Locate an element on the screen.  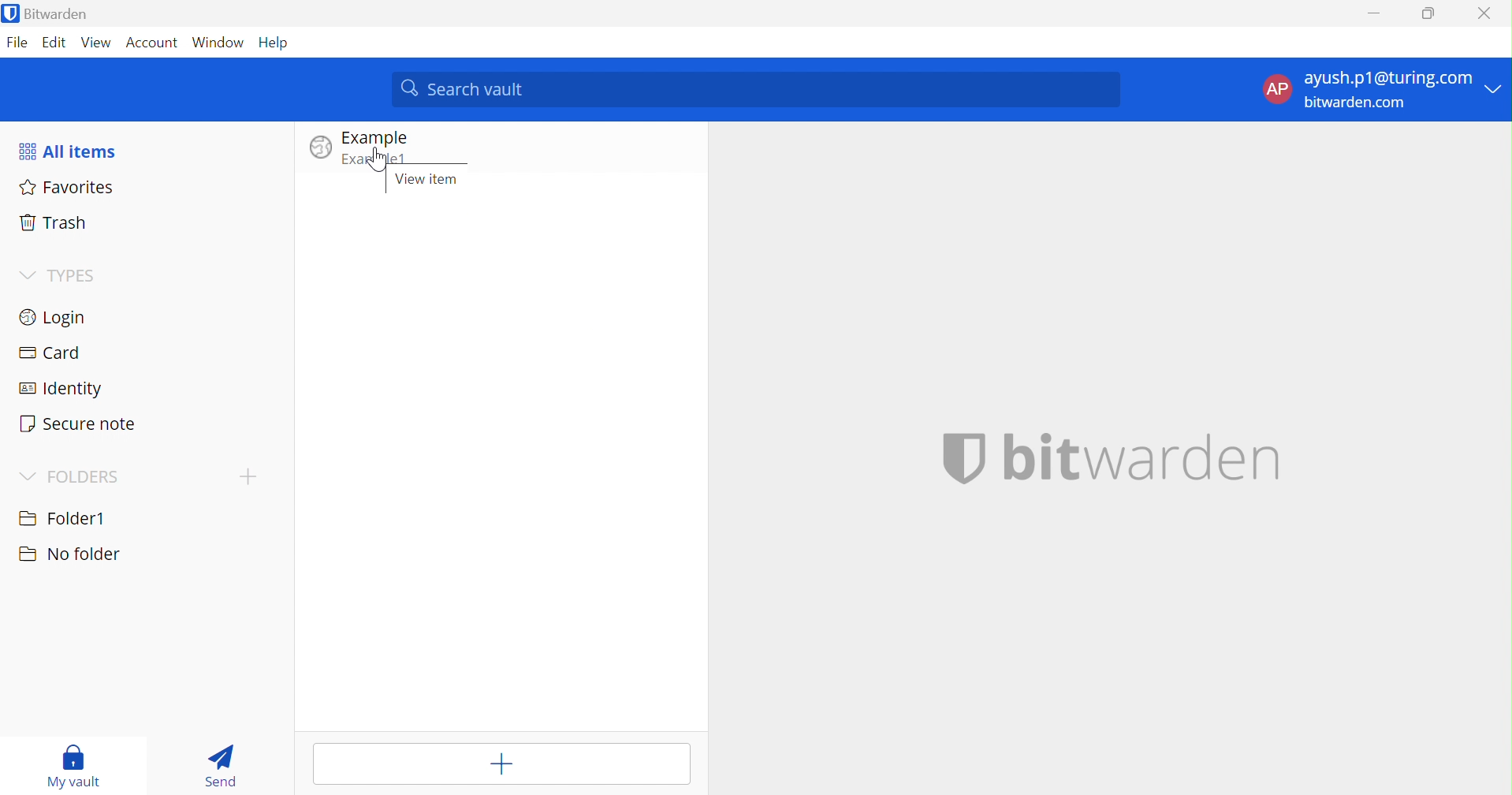
Help is located at coordinates (275, 42).